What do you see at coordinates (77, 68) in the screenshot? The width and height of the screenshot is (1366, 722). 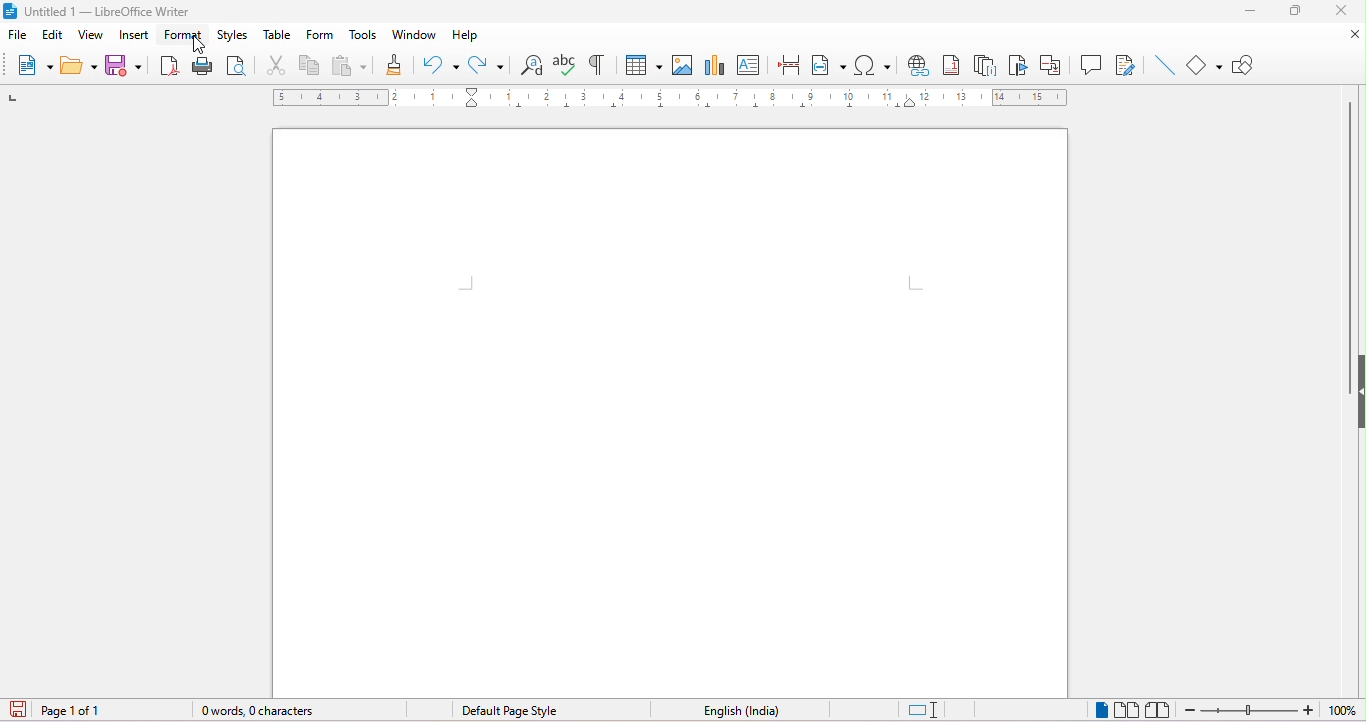 I see `open` at bounding box center [77, 68].